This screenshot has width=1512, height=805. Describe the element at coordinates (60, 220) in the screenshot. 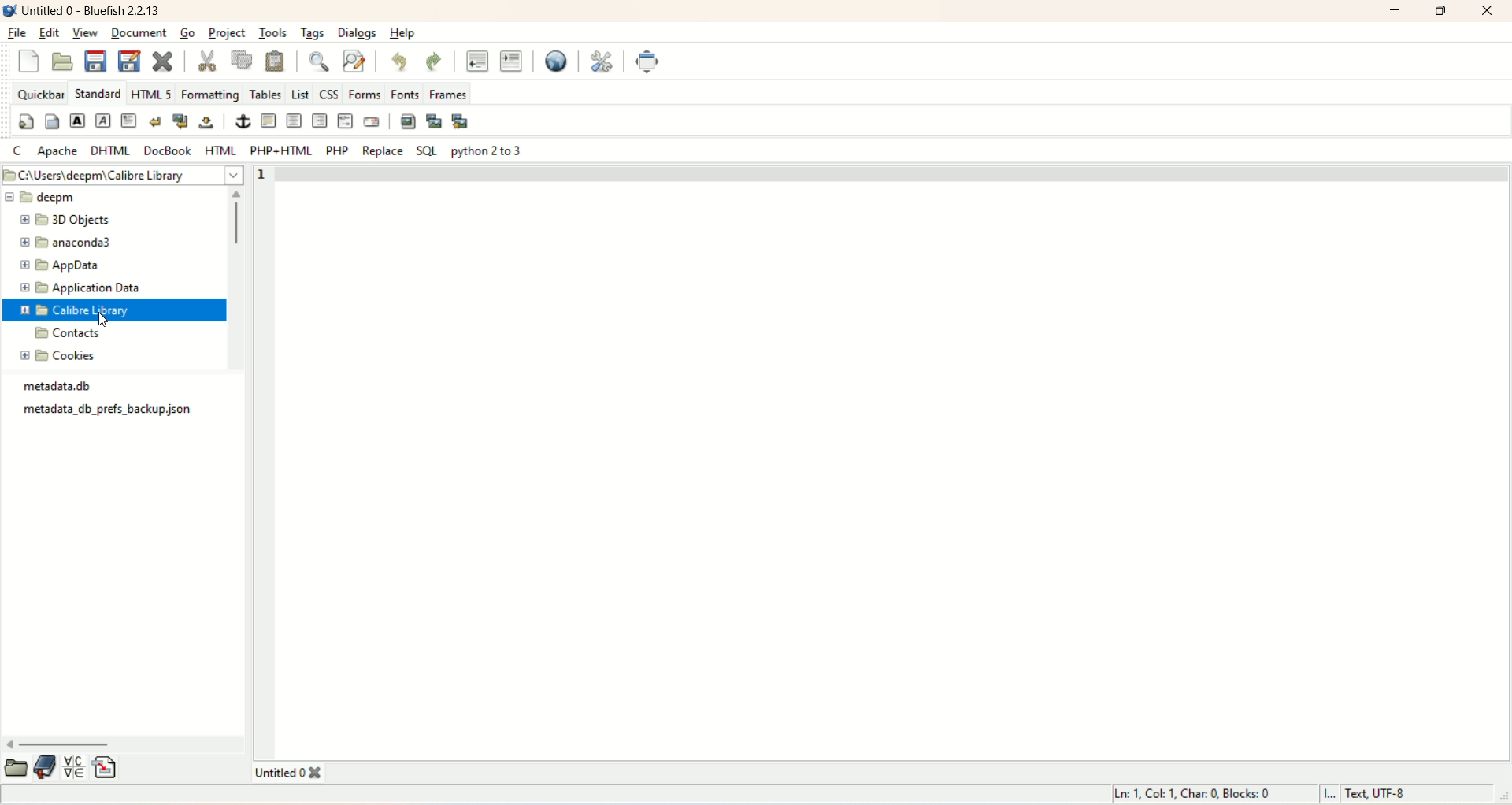

I see `3D object` at that location.